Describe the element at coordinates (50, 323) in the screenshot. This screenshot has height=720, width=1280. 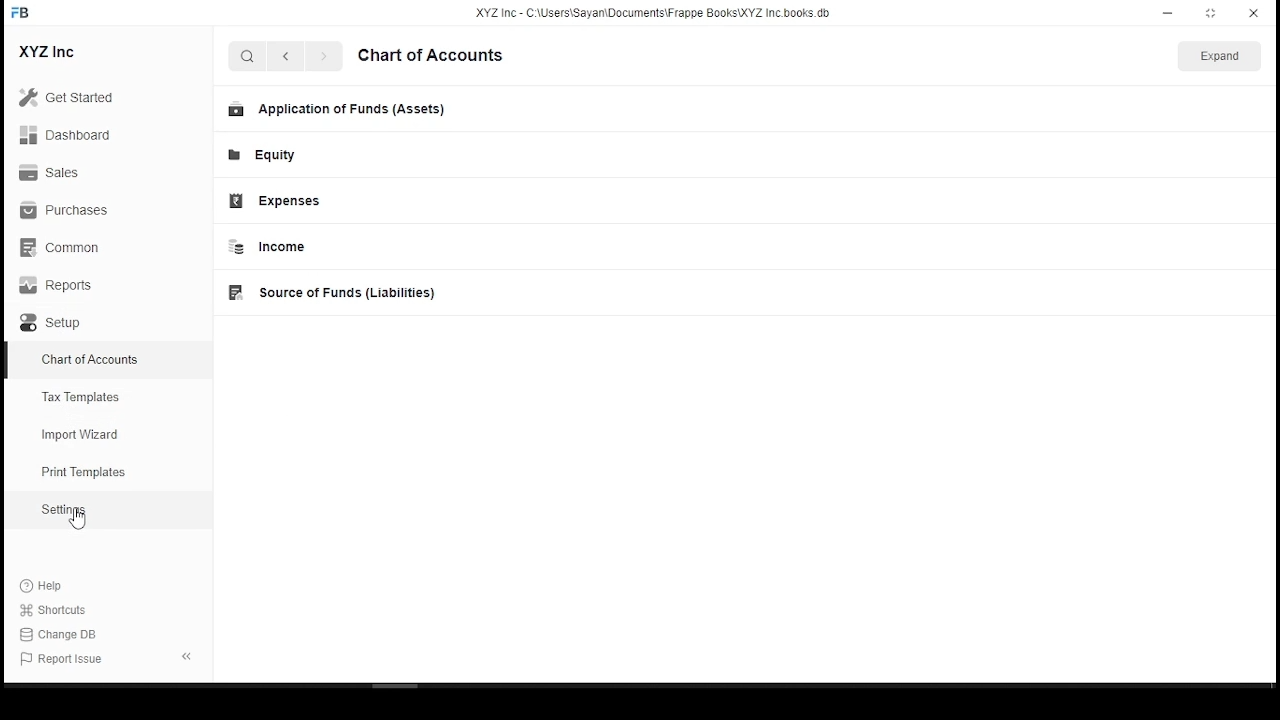
I see `Setup` at that location.